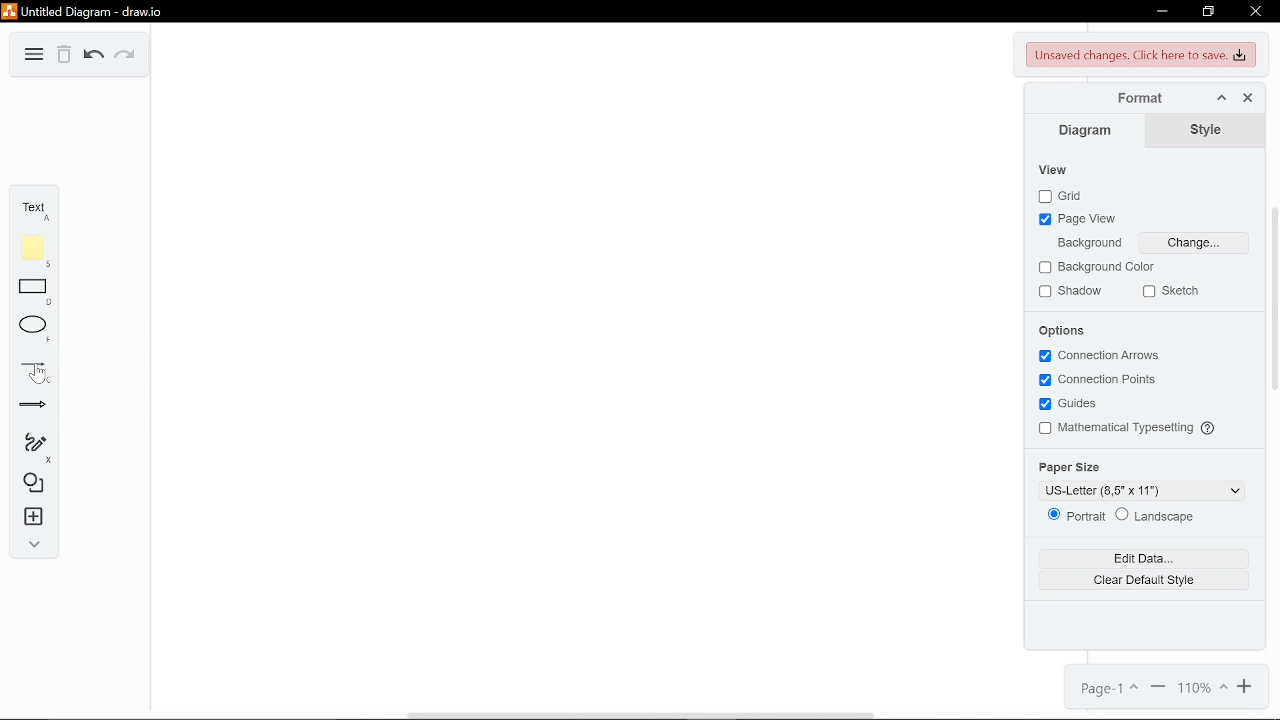  Describe the element at coordinates (1081, 221) in the screenshot. I see `Page view` at that location.